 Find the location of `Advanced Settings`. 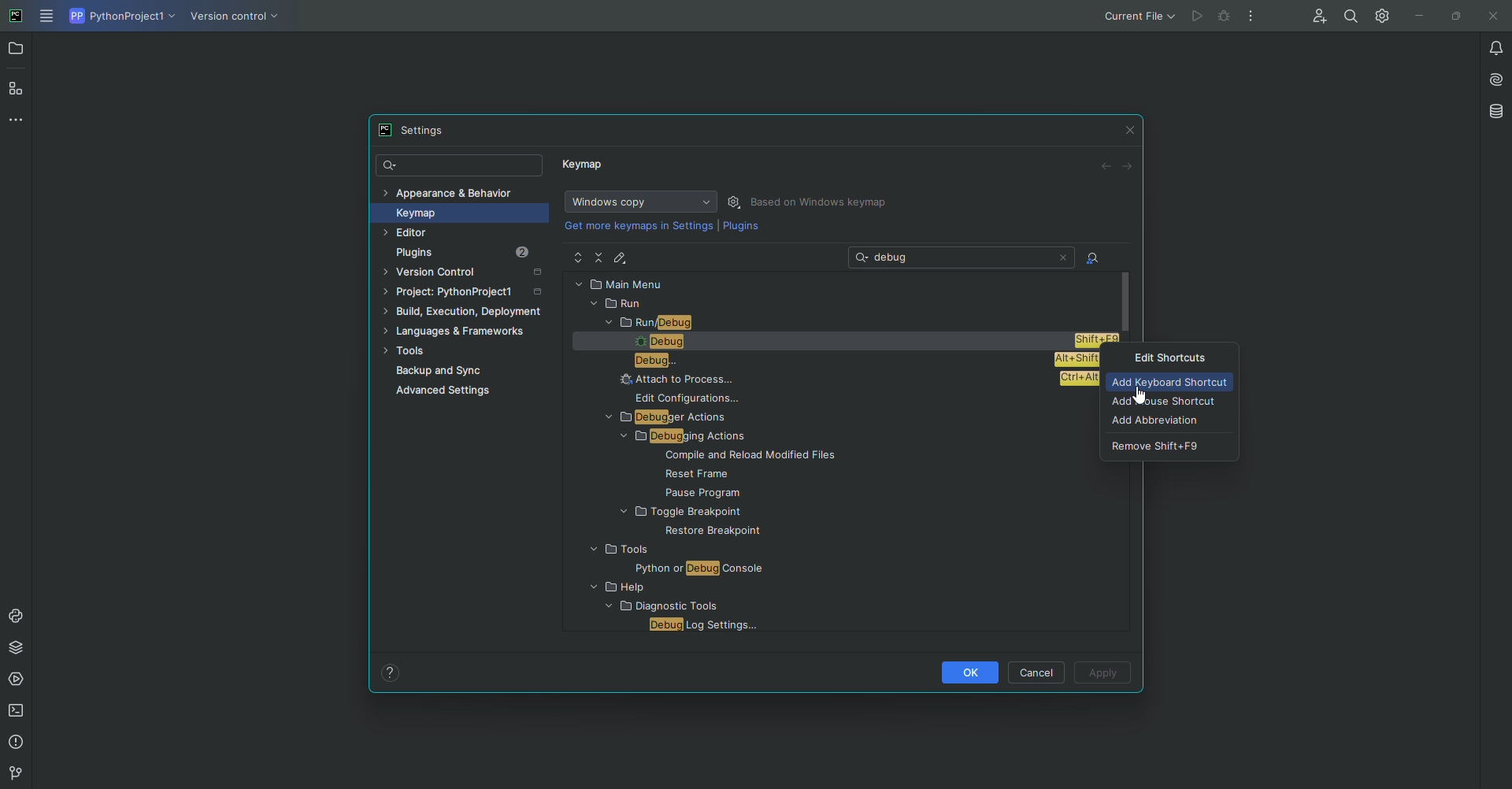

Advanced Settings is located at coordinates (447, 393).